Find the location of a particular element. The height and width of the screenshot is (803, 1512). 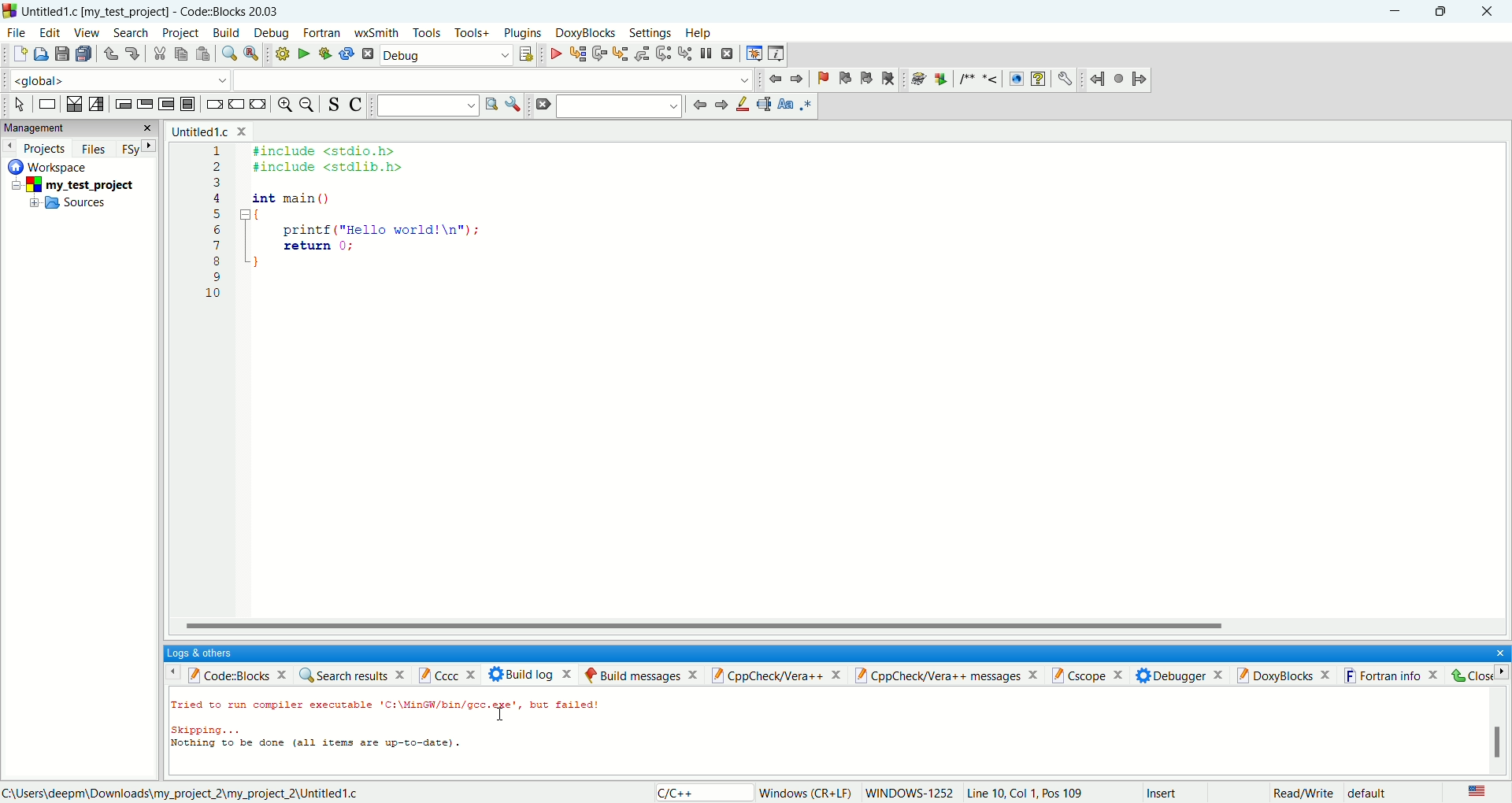

close is located at coordinates (1487, 12).